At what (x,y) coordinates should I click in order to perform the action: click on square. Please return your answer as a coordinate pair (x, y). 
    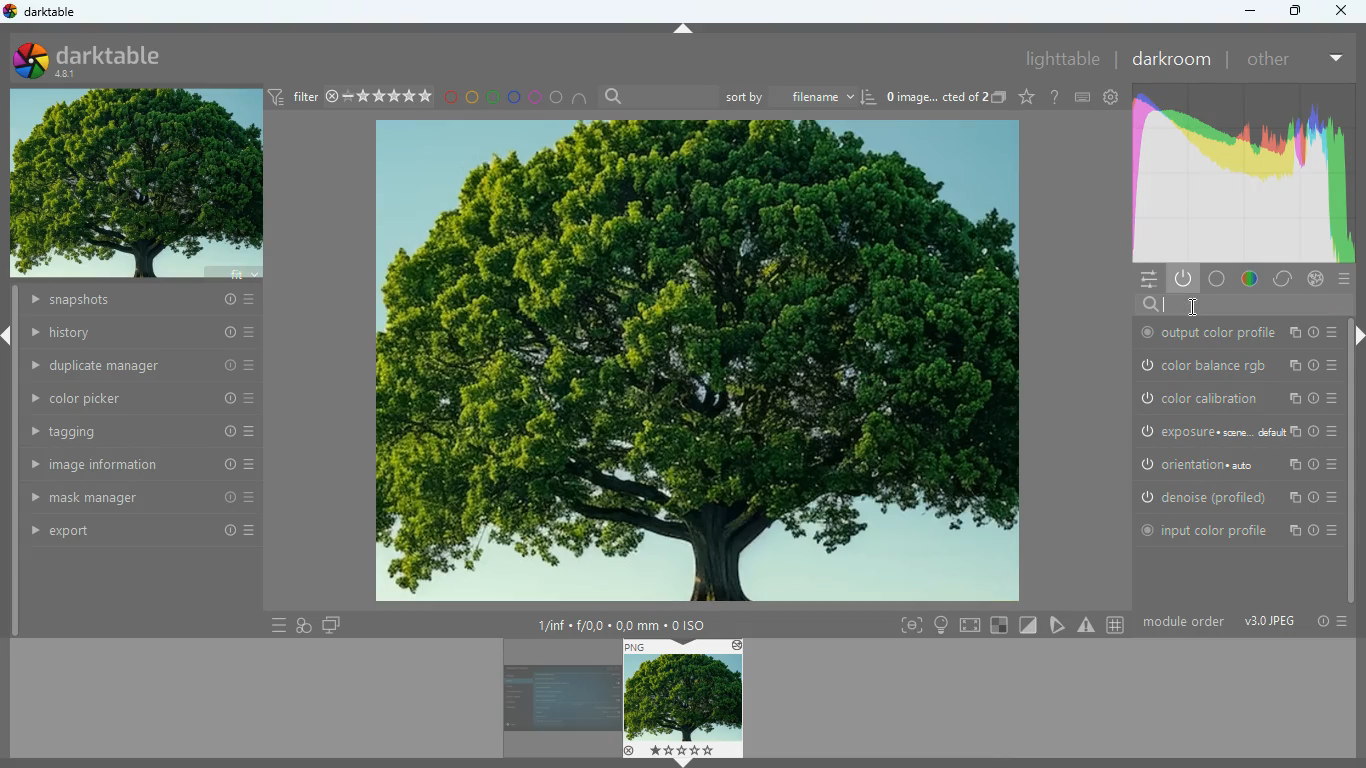
    Looking at the image, I should click on (998, 624).